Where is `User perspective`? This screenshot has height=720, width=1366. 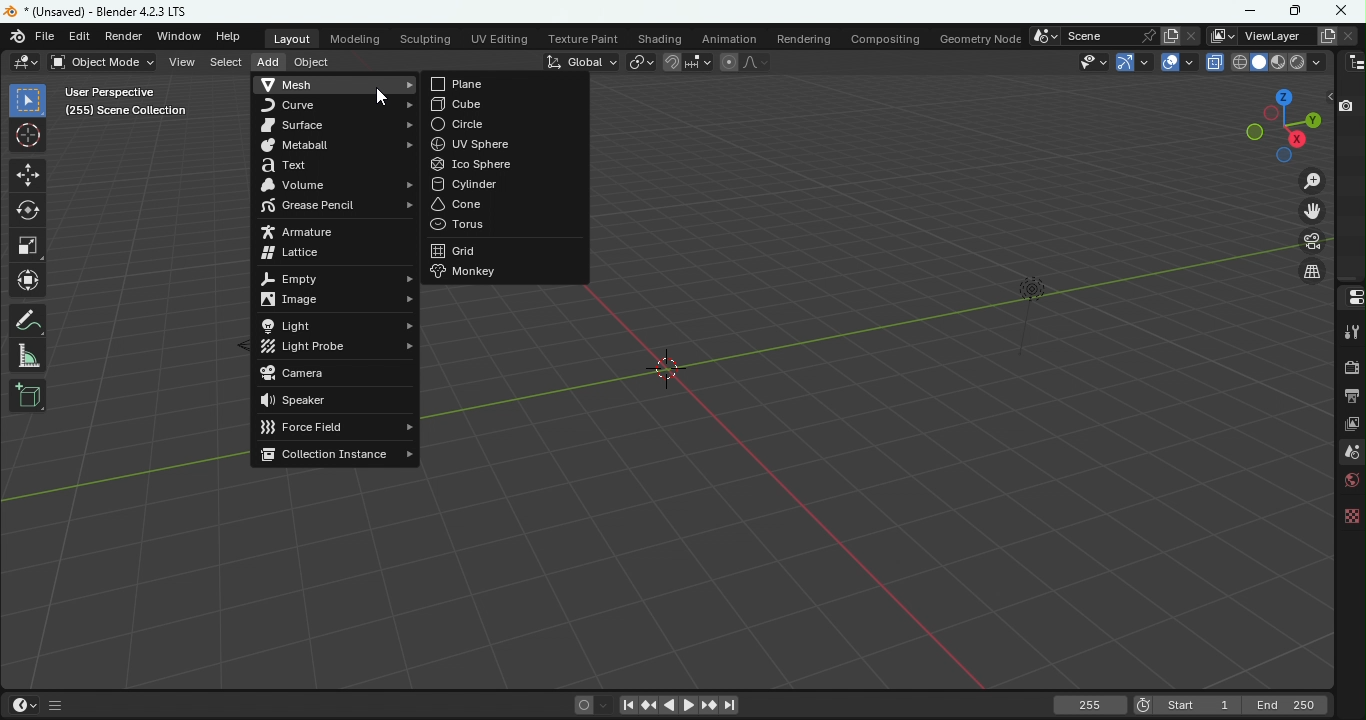
User perspective is located at coordinates (125, 101).